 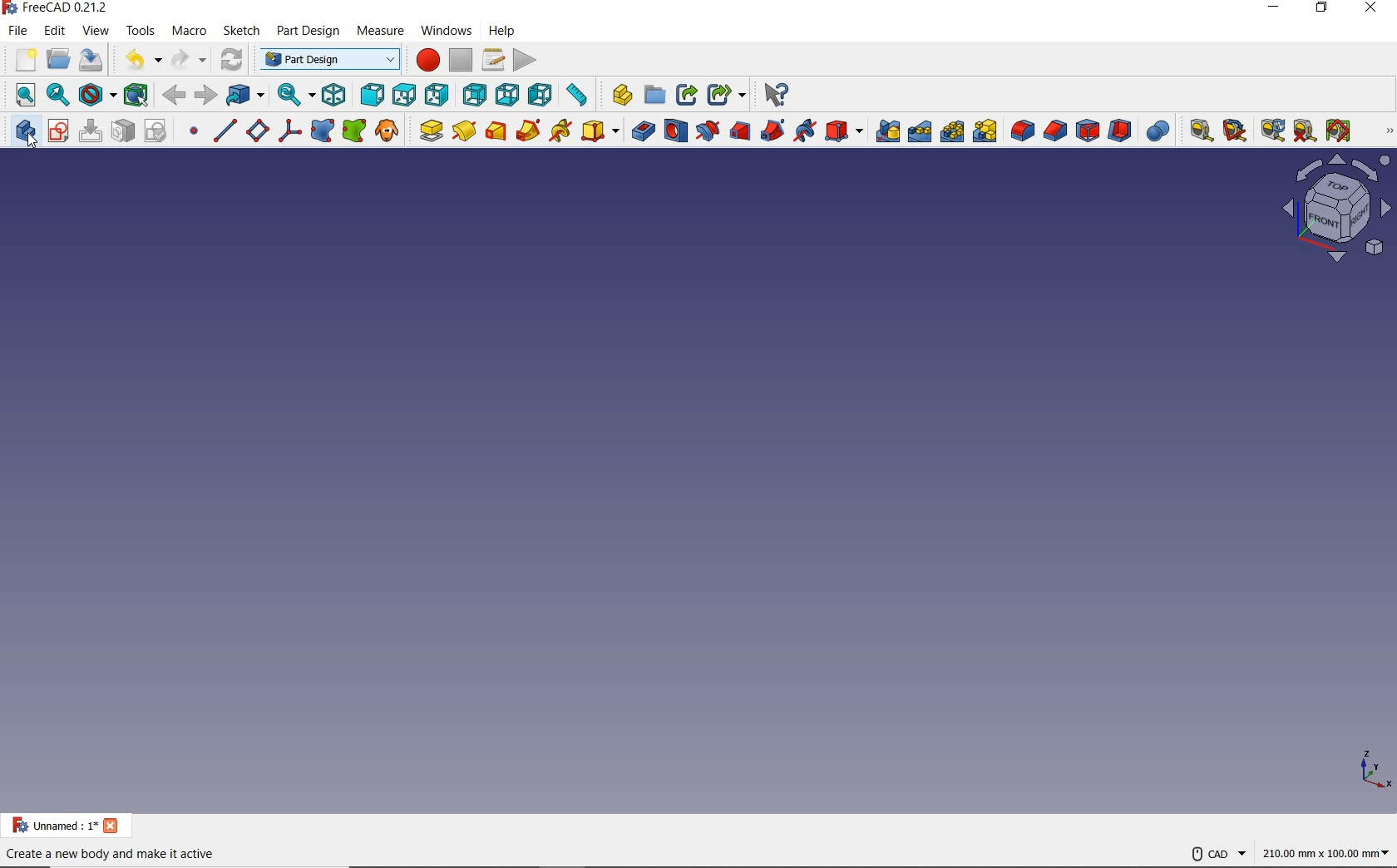 What do you see at coordinates (17, 31) in the screenshot?
I see `FILE` at bounding box center [17, 31].